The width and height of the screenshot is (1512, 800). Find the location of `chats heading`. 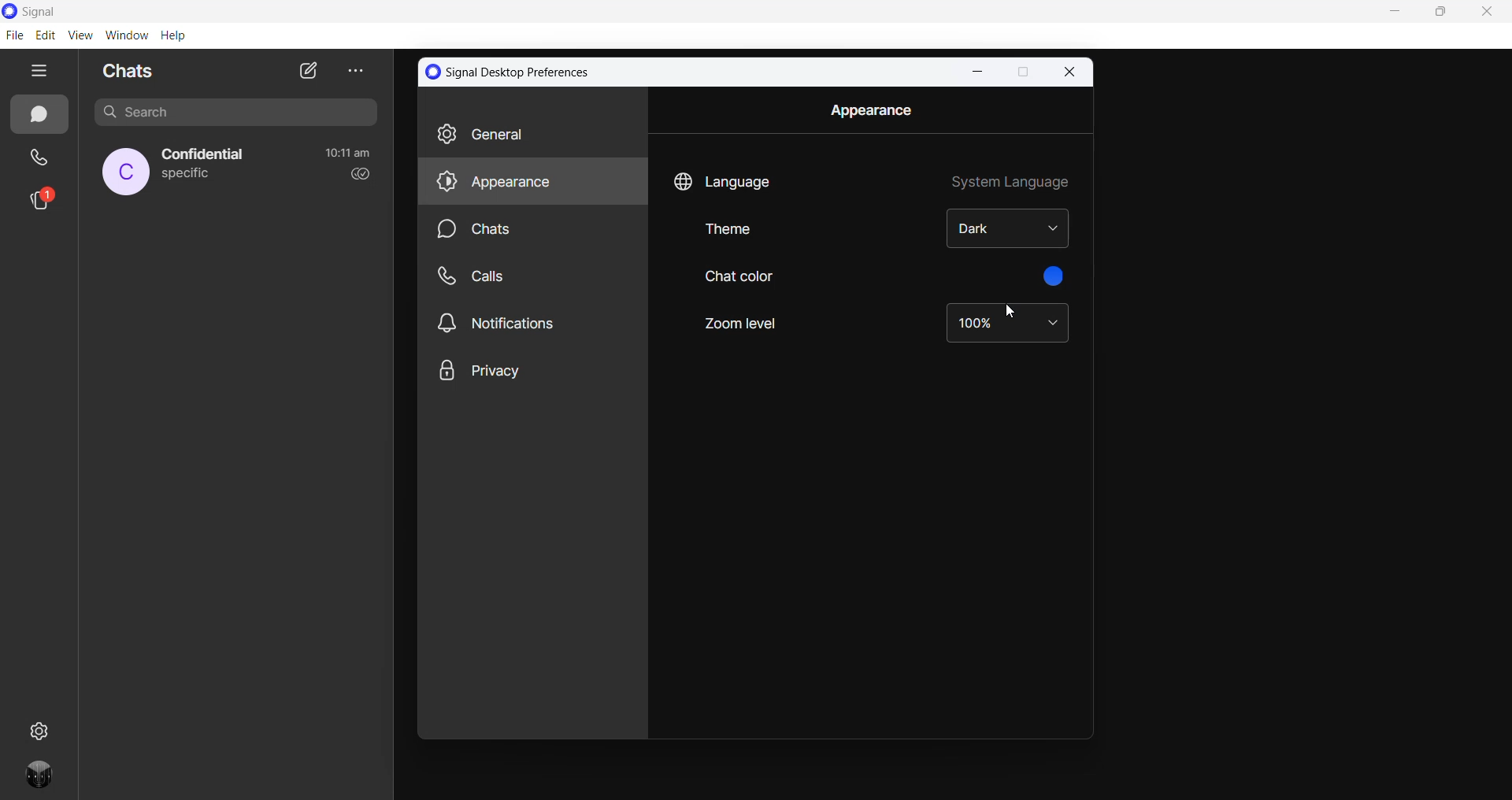

chats heading is located at coordinates (133, 70).